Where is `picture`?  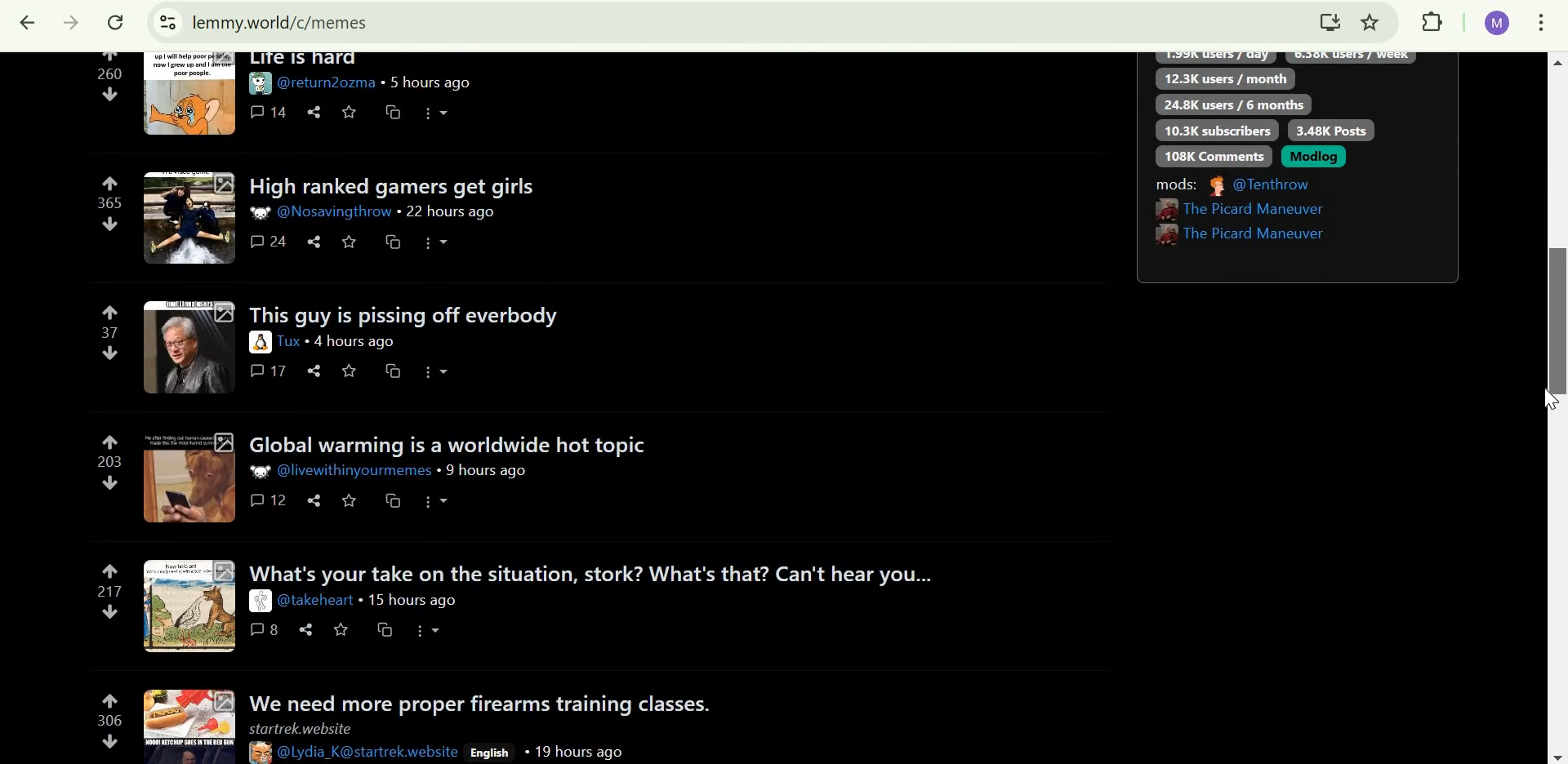 picture is located at coordinates (260, 83).